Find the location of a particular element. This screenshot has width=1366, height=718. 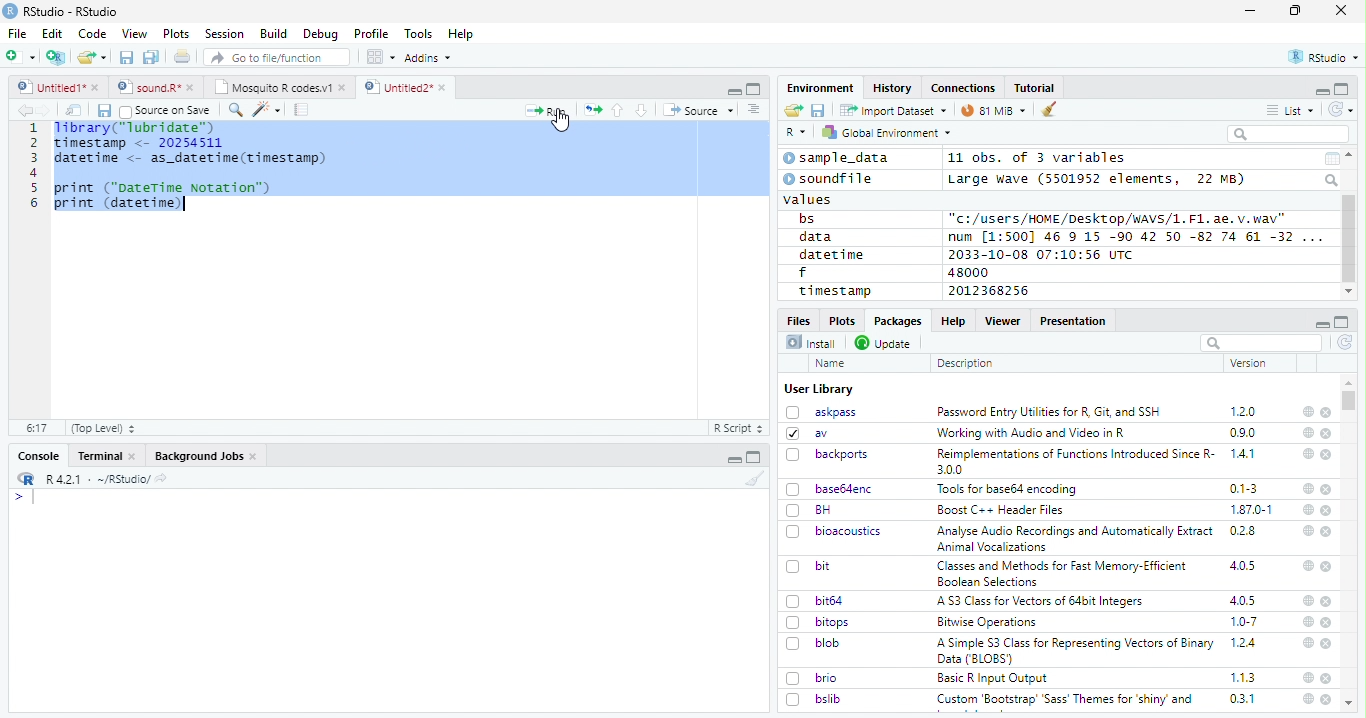

Background Jobs is located at coordinates (206, 456).